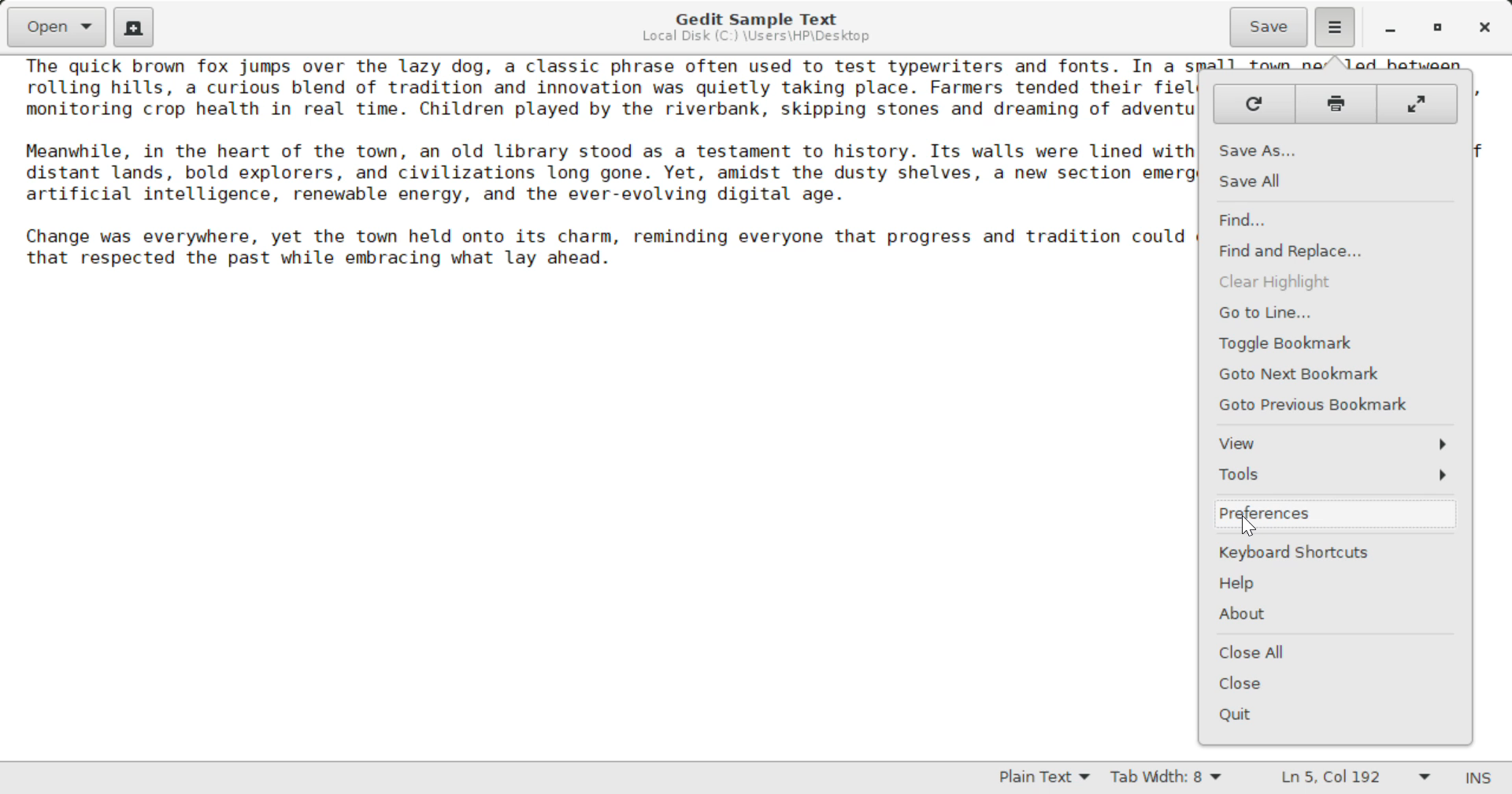 The width and height of the screenshot is (1512, 794). What do you see at coordinates (1314, 552) in the screenshot?
I see `Keyboard shortcuts` at bounding box center [1314, 552].